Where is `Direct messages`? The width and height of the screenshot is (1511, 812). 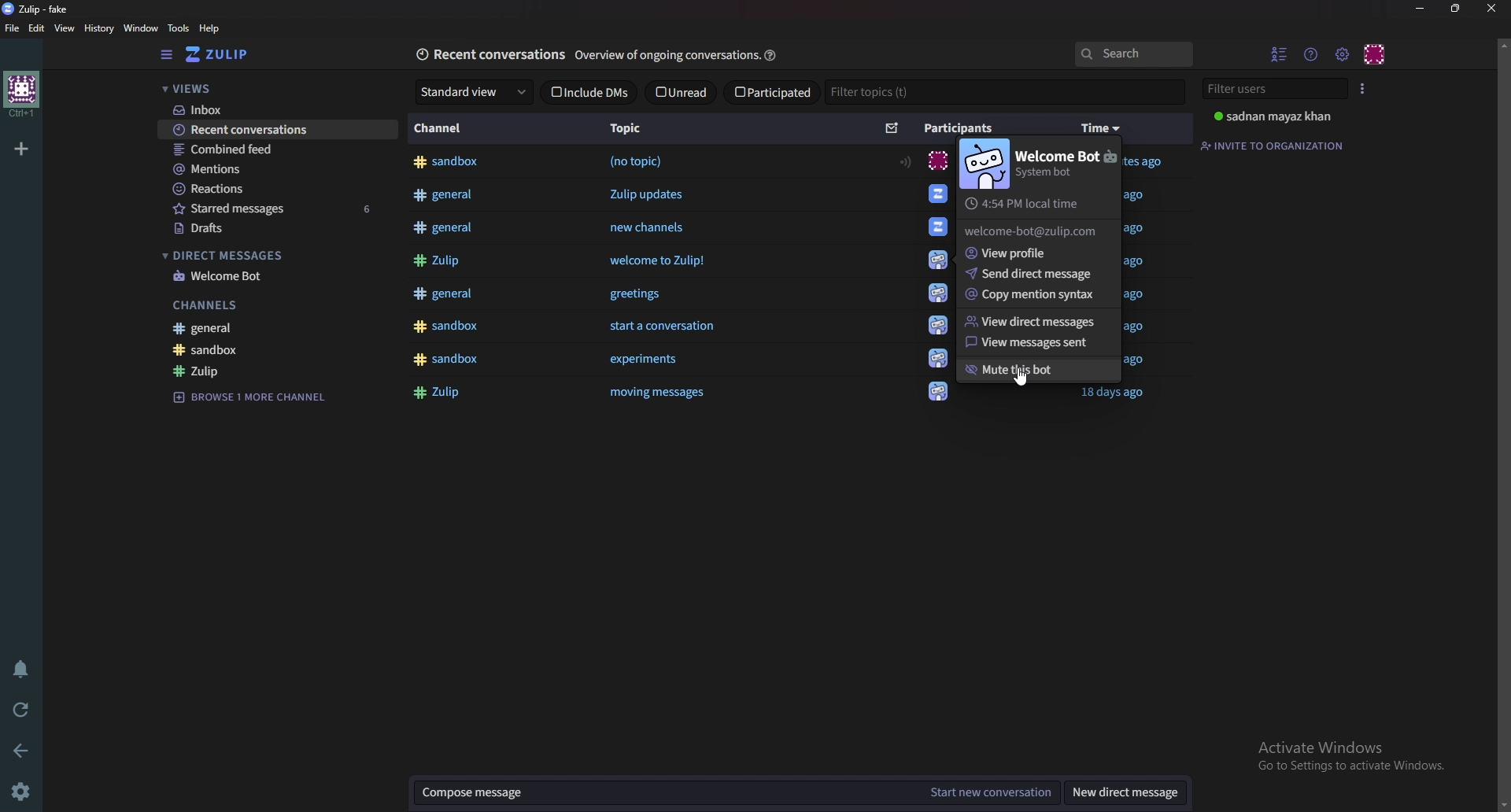
Direct messages is located at coordinates (274, 253).